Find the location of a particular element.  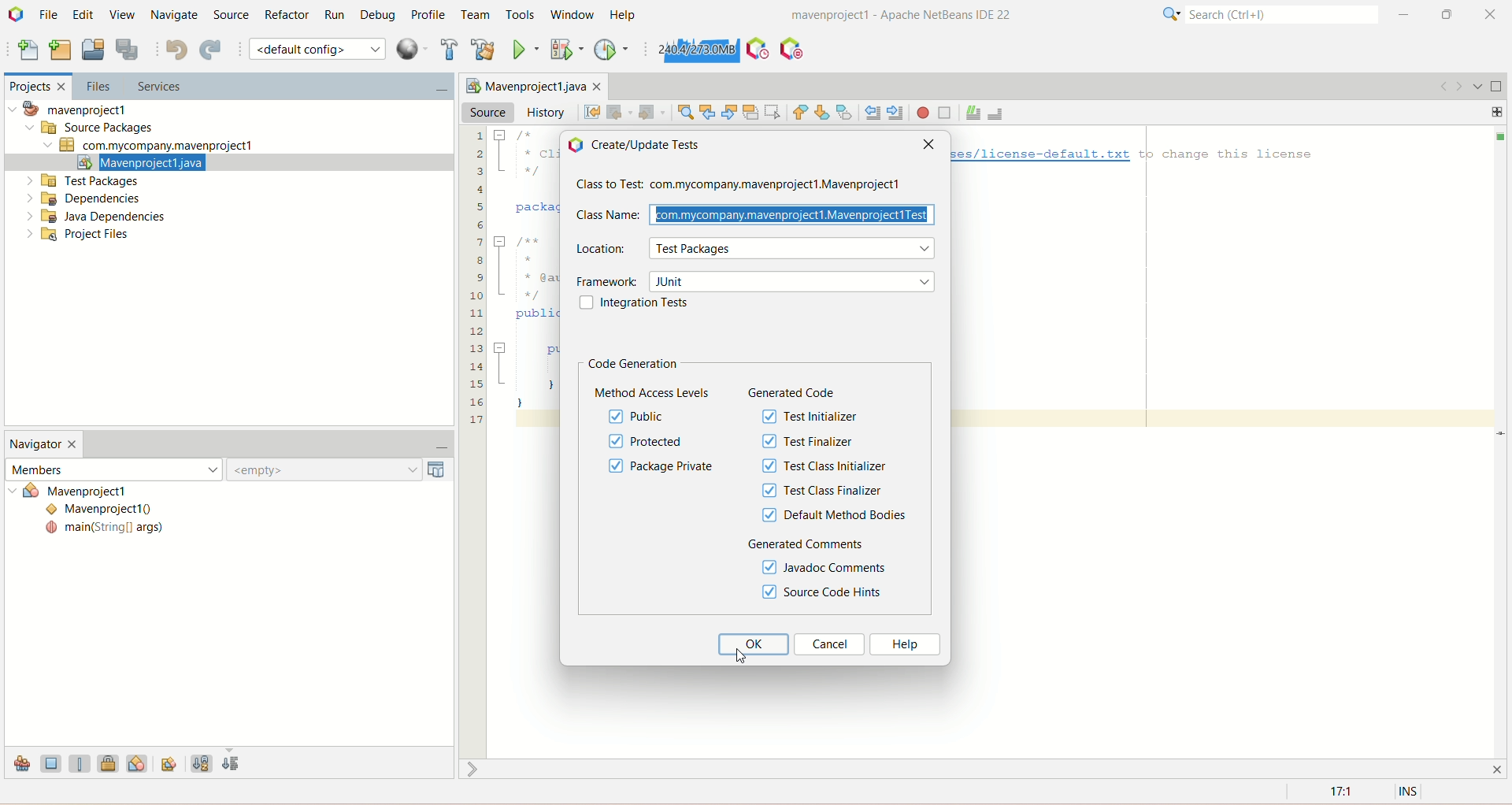

mavenproject1-Apache NetBeans IDE22 is located at coordinates (862, 17).